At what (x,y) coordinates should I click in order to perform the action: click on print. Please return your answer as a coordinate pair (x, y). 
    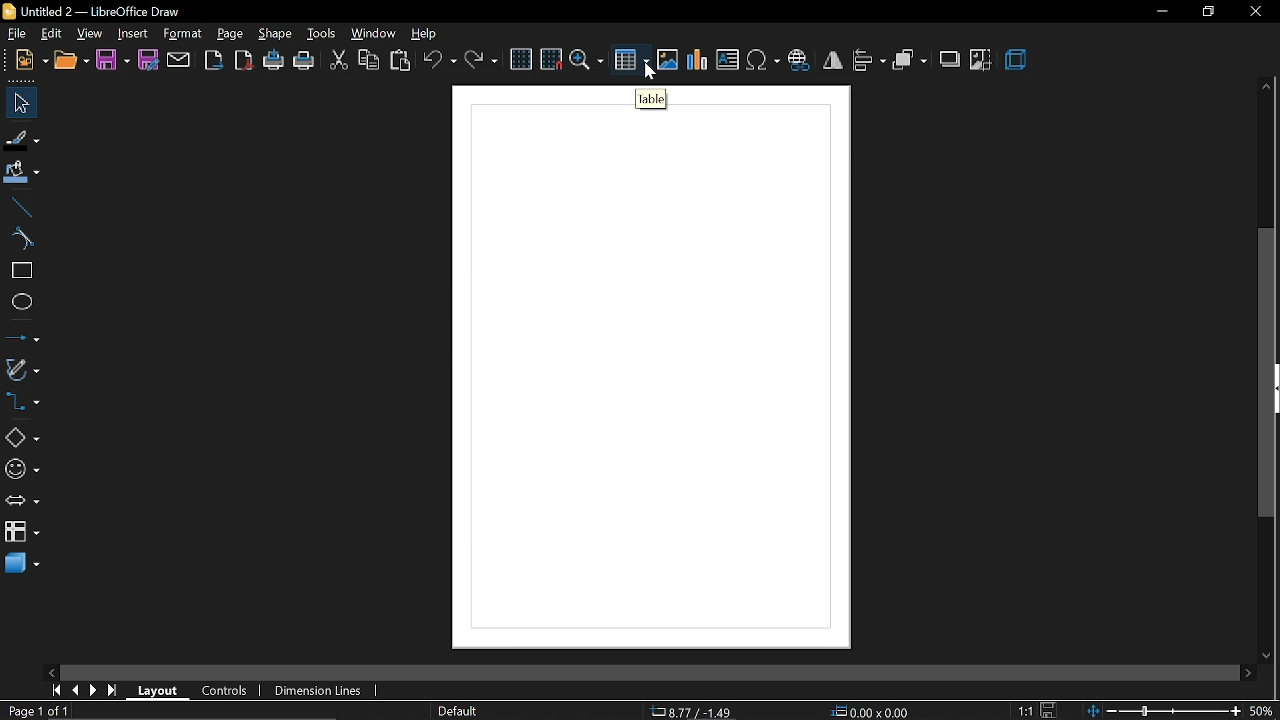
    Looking at the image, I should click on (305, 62).